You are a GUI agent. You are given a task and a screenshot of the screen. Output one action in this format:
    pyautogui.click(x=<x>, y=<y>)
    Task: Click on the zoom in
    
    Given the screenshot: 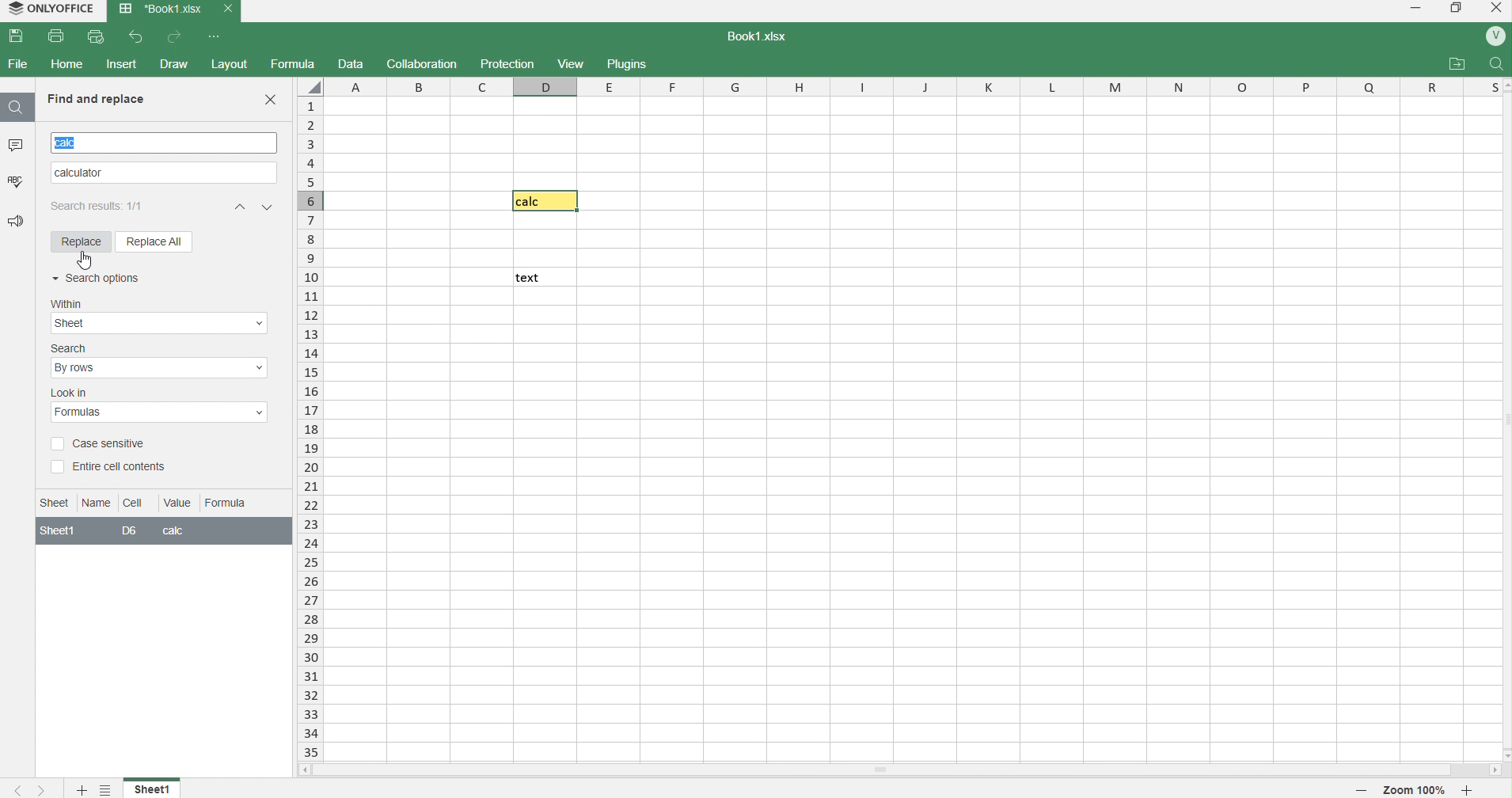 What is the action you would take?
    pyautogui.click(x=1469, y=789)
    